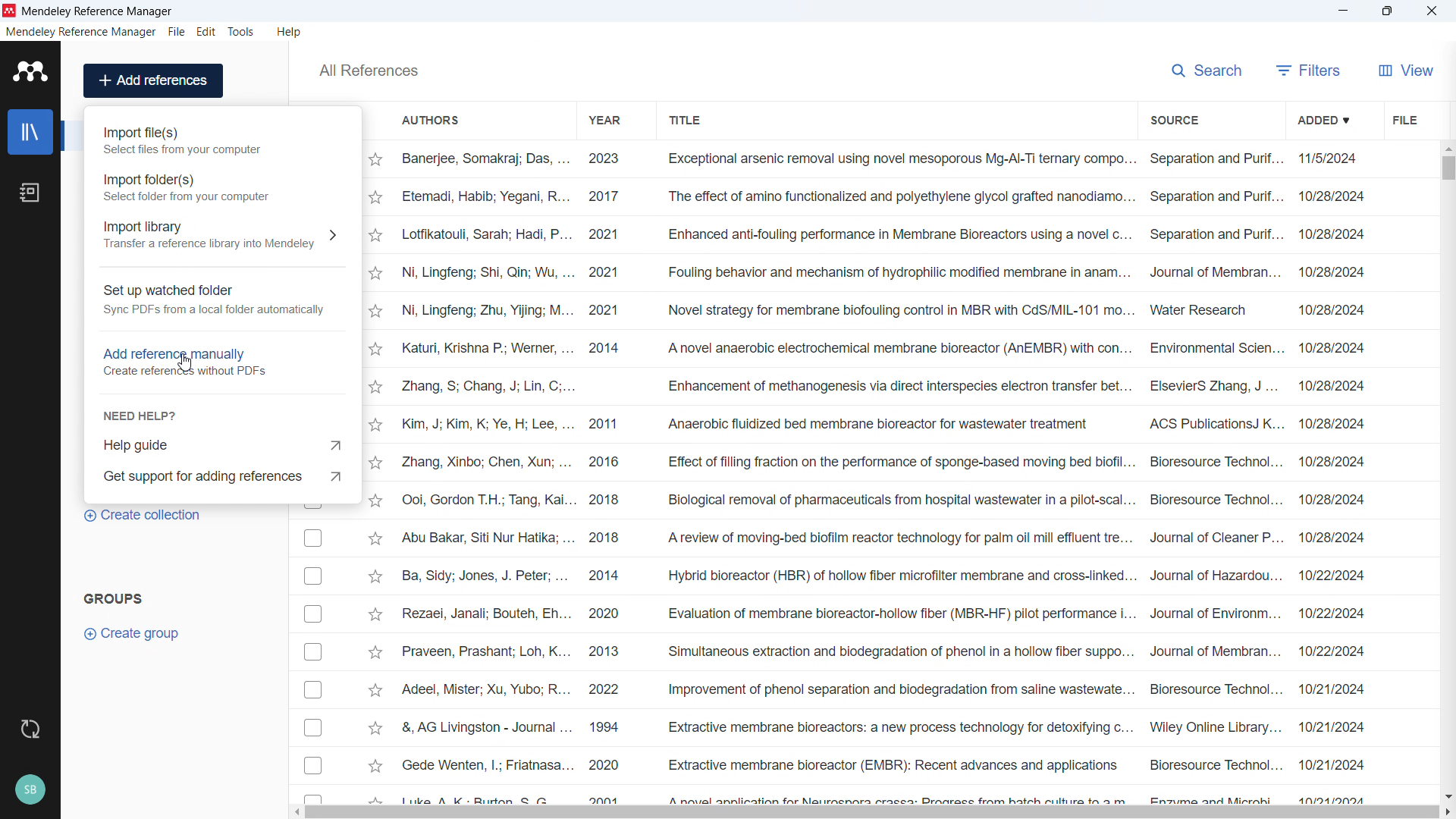 Image resolution: width=1456 pixels, height=819 pixels. I want to click on Logo , so click(31, 71).